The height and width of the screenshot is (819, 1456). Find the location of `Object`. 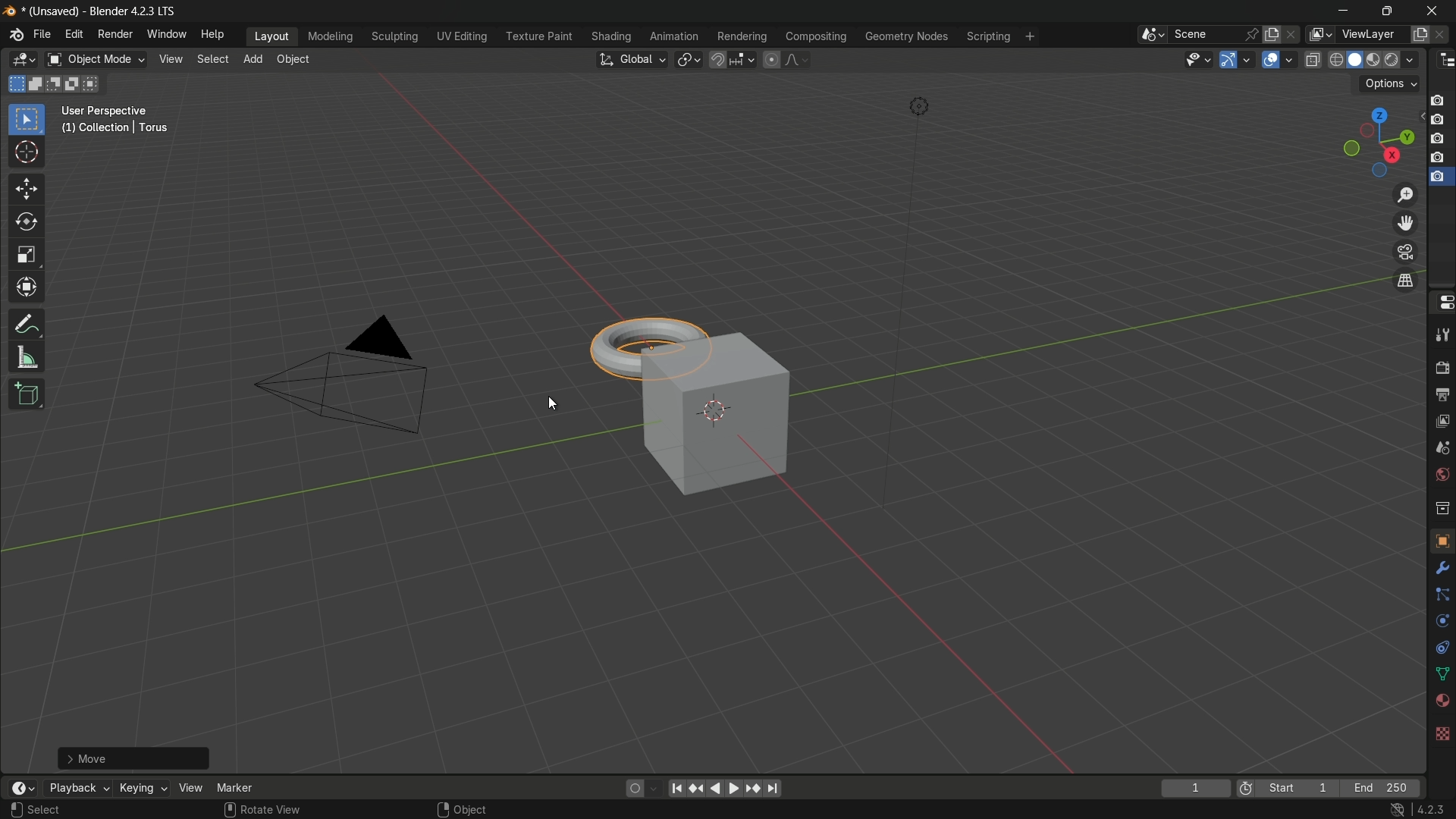

Object is located at coordinates (471, 809).